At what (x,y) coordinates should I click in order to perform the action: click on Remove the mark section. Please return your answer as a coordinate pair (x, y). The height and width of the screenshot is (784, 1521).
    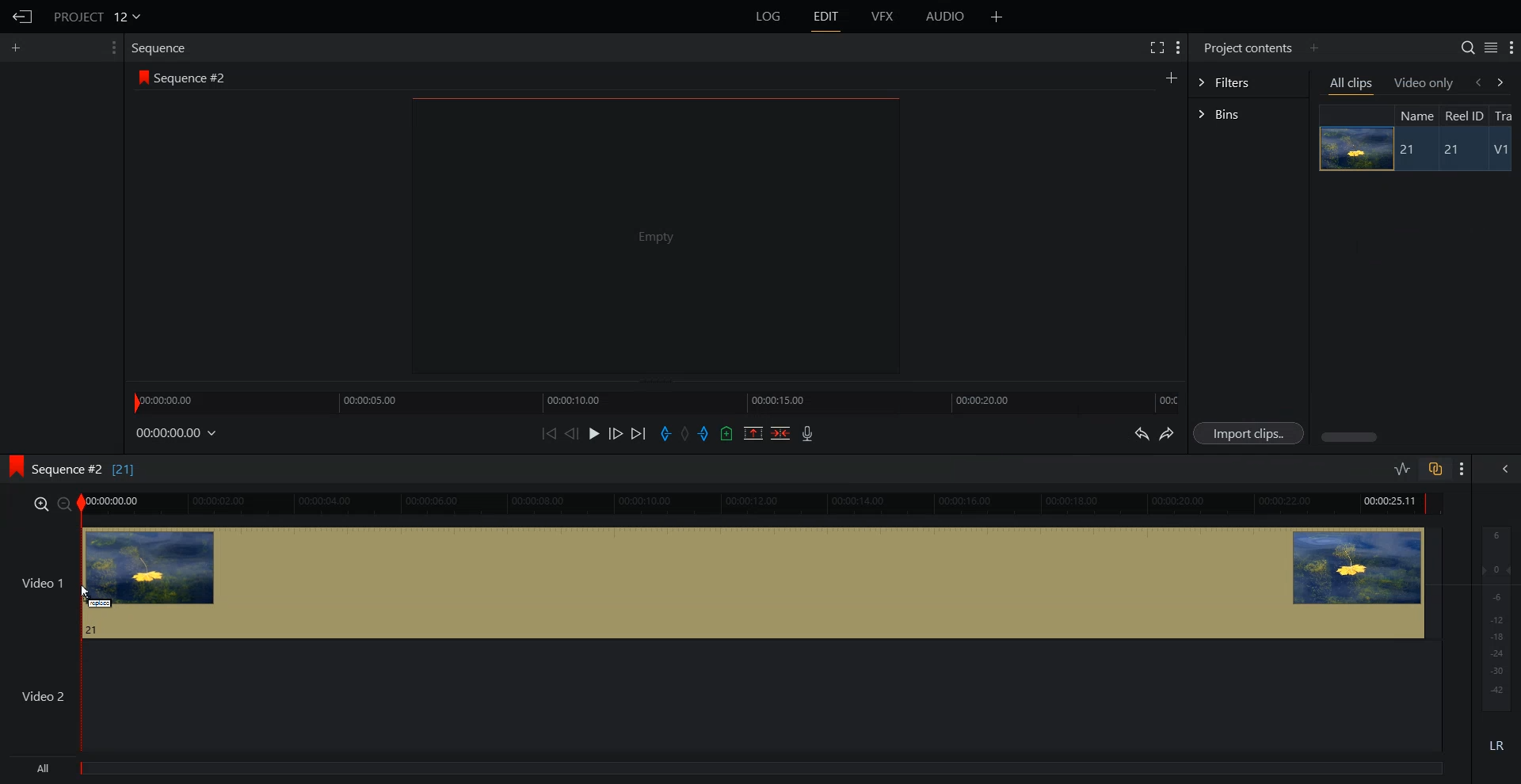
    Looking at the image, I should click on (753, 433).